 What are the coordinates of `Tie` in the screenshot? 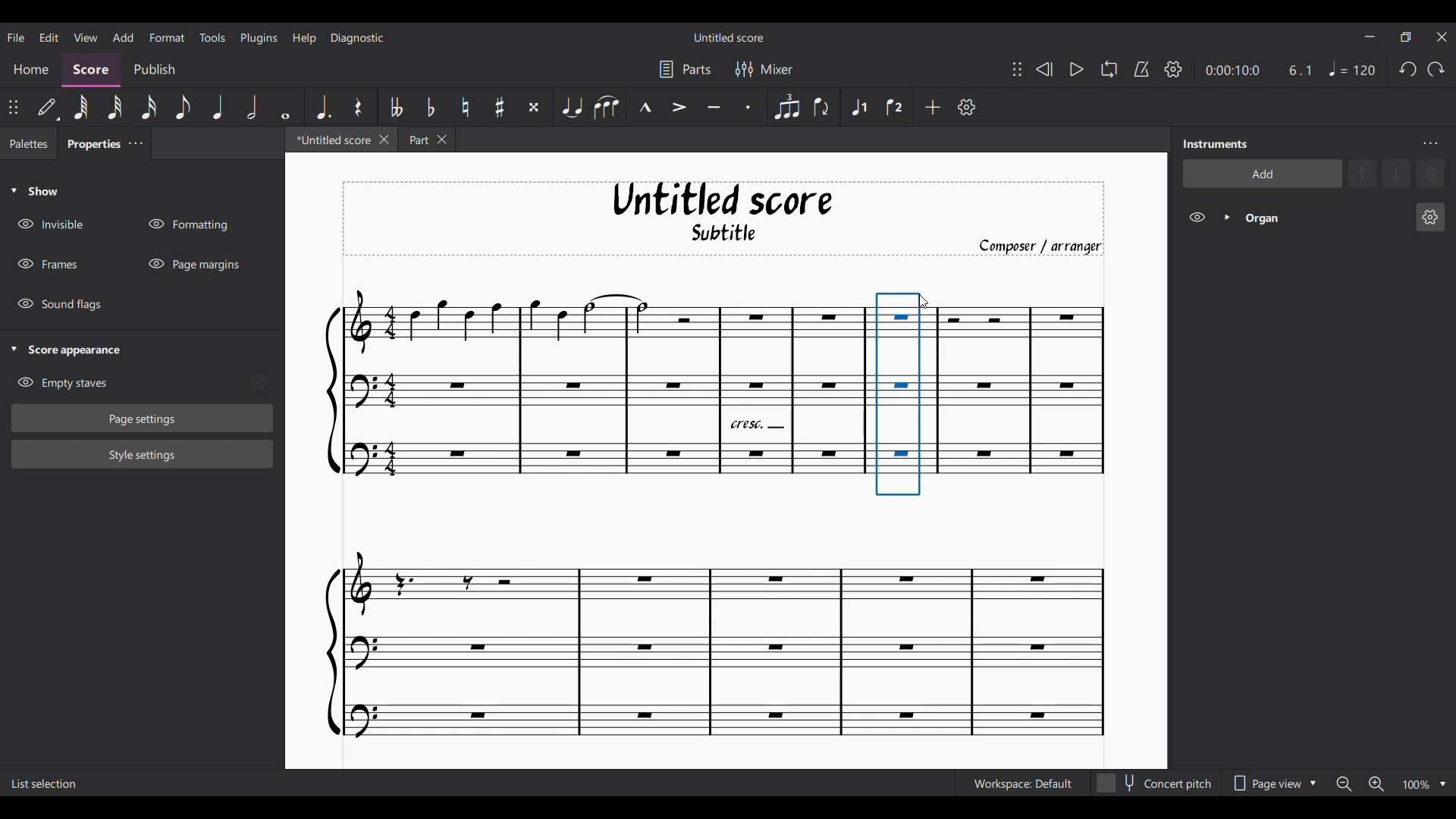 It's located at (571, 107).